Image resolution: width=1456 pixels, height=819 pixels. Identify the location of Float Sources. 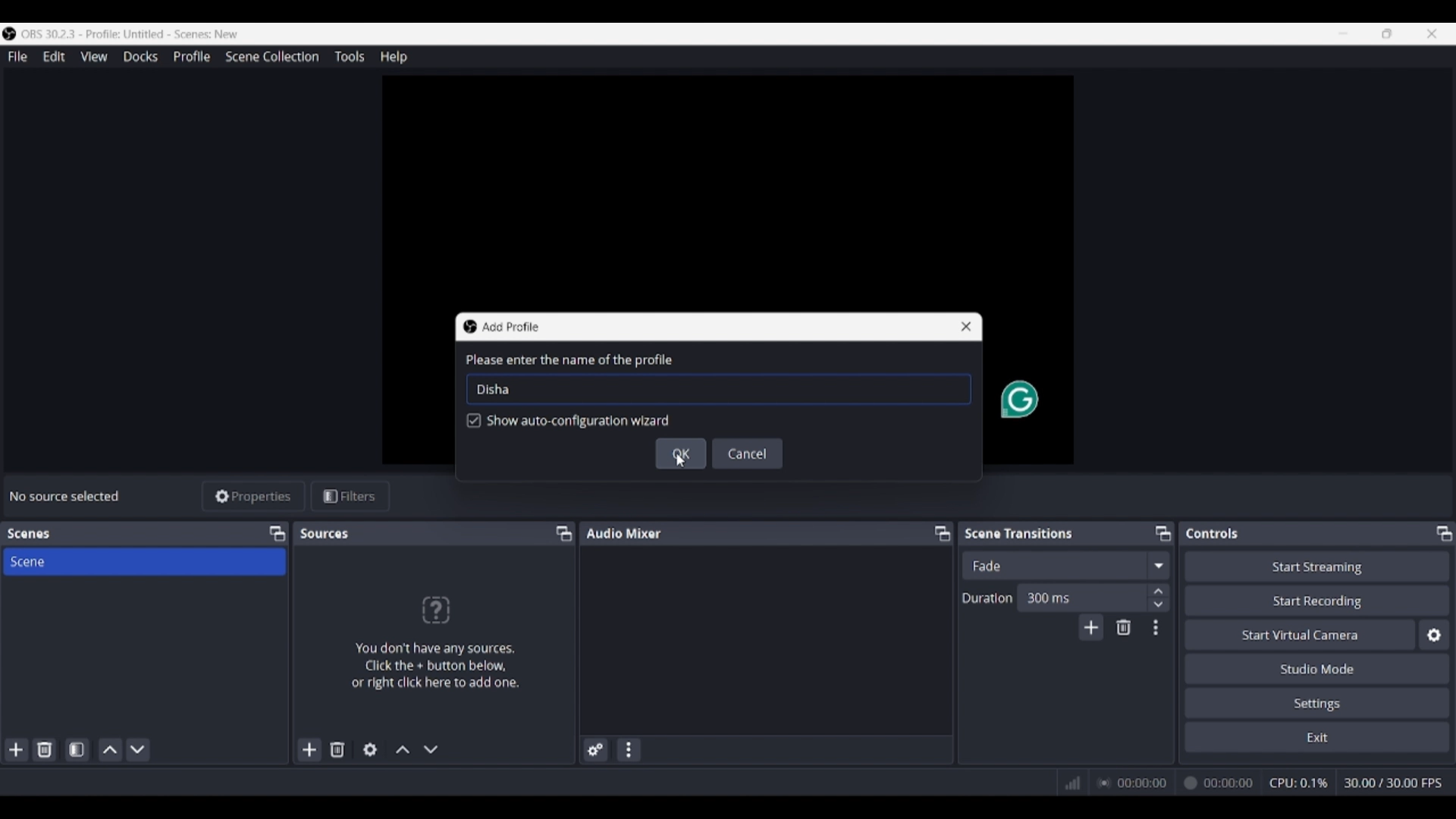
(564, 533).